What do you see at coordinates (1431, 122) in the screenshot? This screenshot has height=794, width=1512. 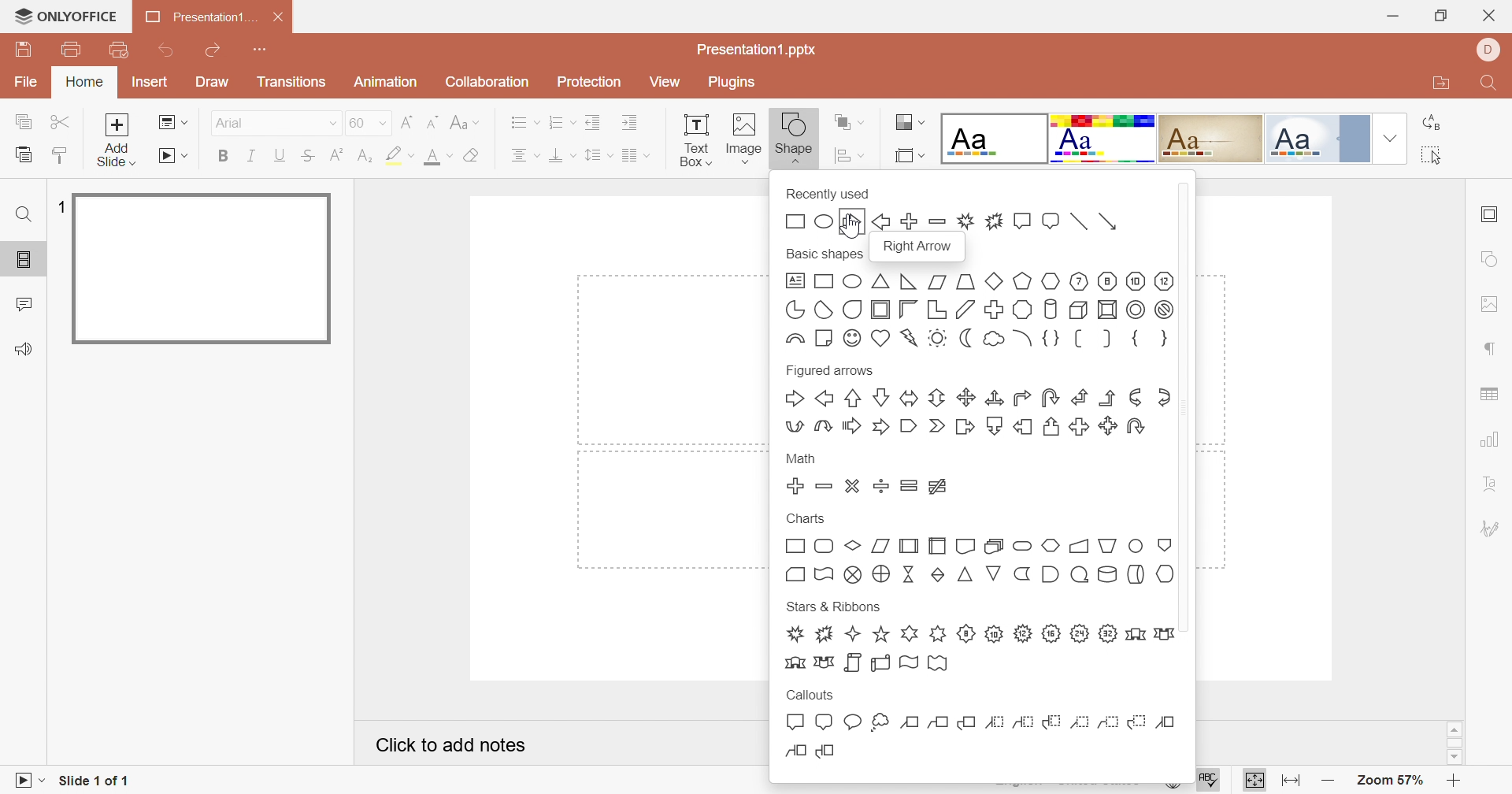 I see `Replace` at bounding box center [1431, 122].